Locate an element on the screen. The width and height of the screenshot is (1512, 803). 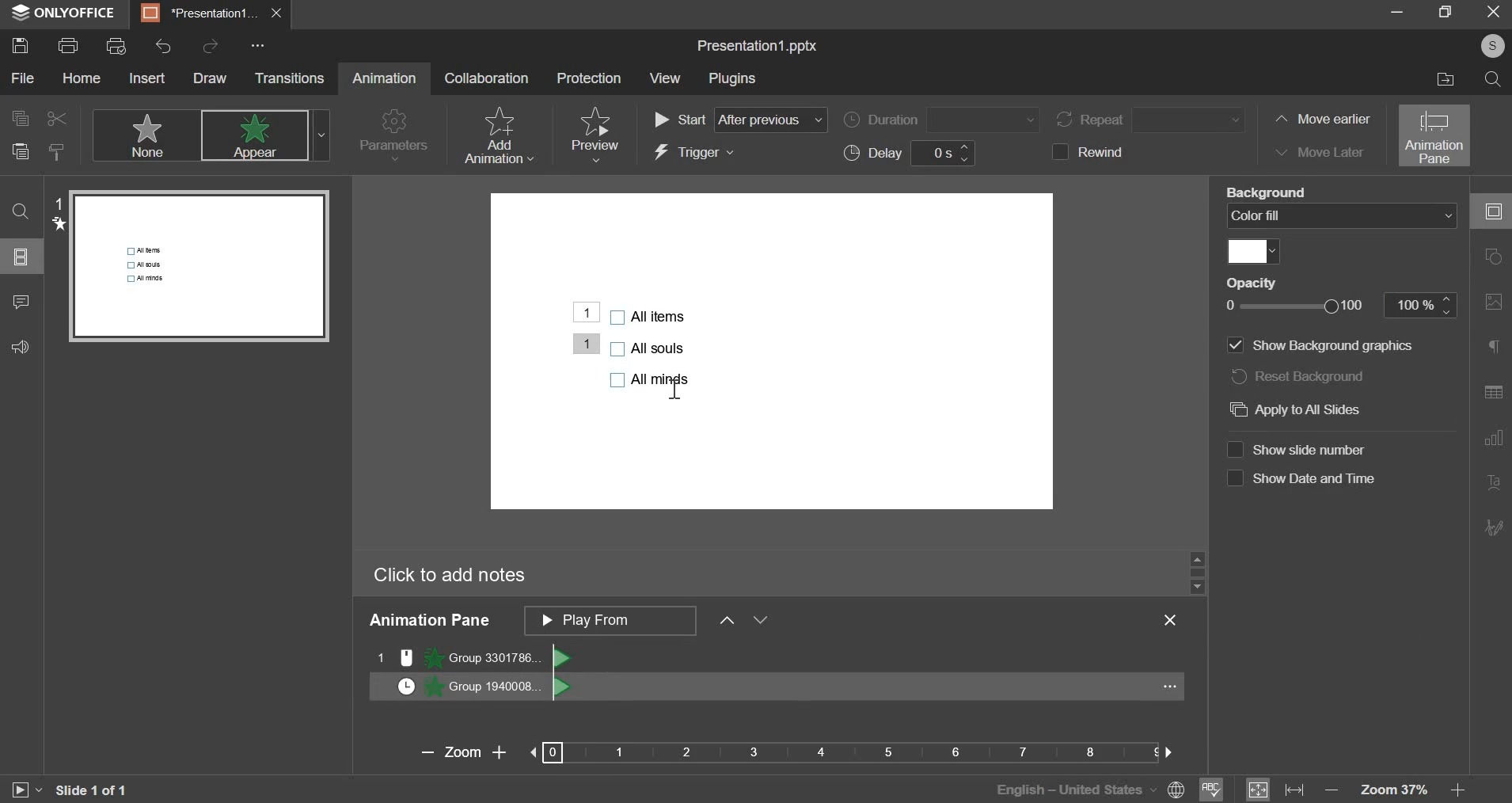
home is located at coordinates (82, 78).